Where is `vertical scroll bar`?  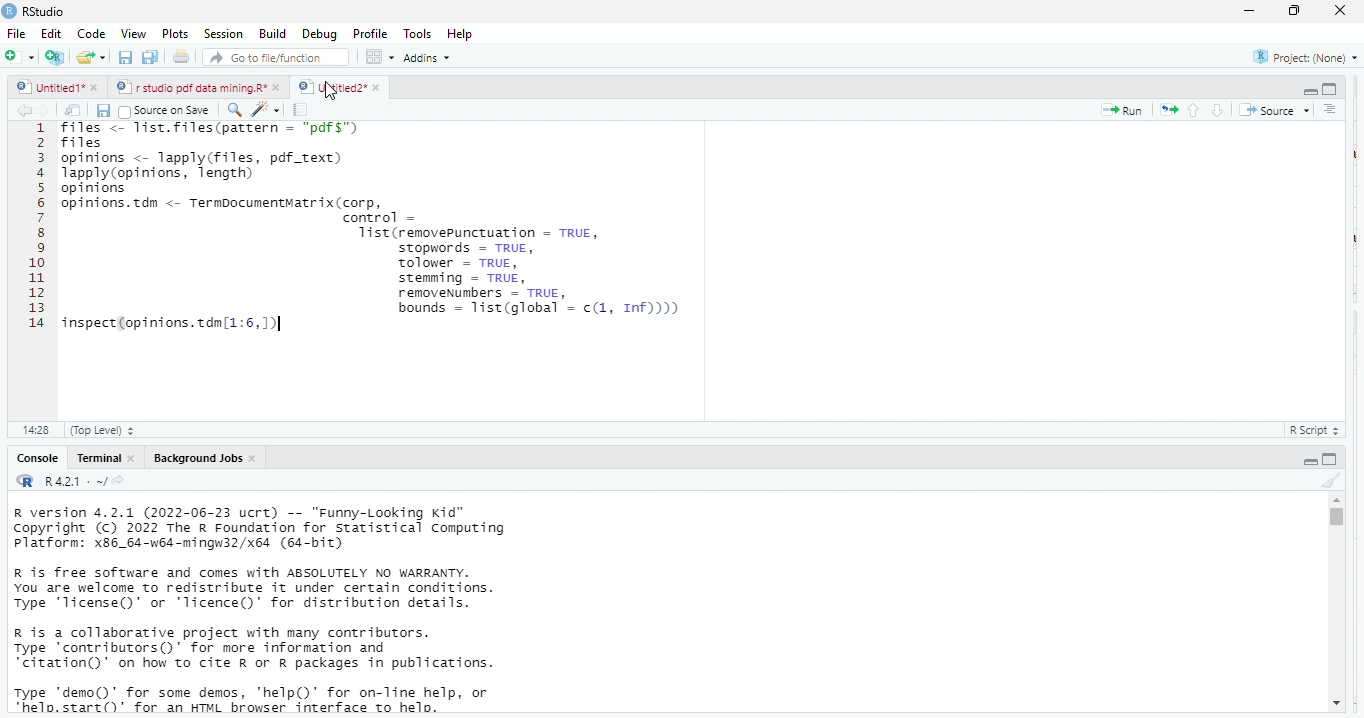 vertical scroll bar is located at coordinates (1335, 602).